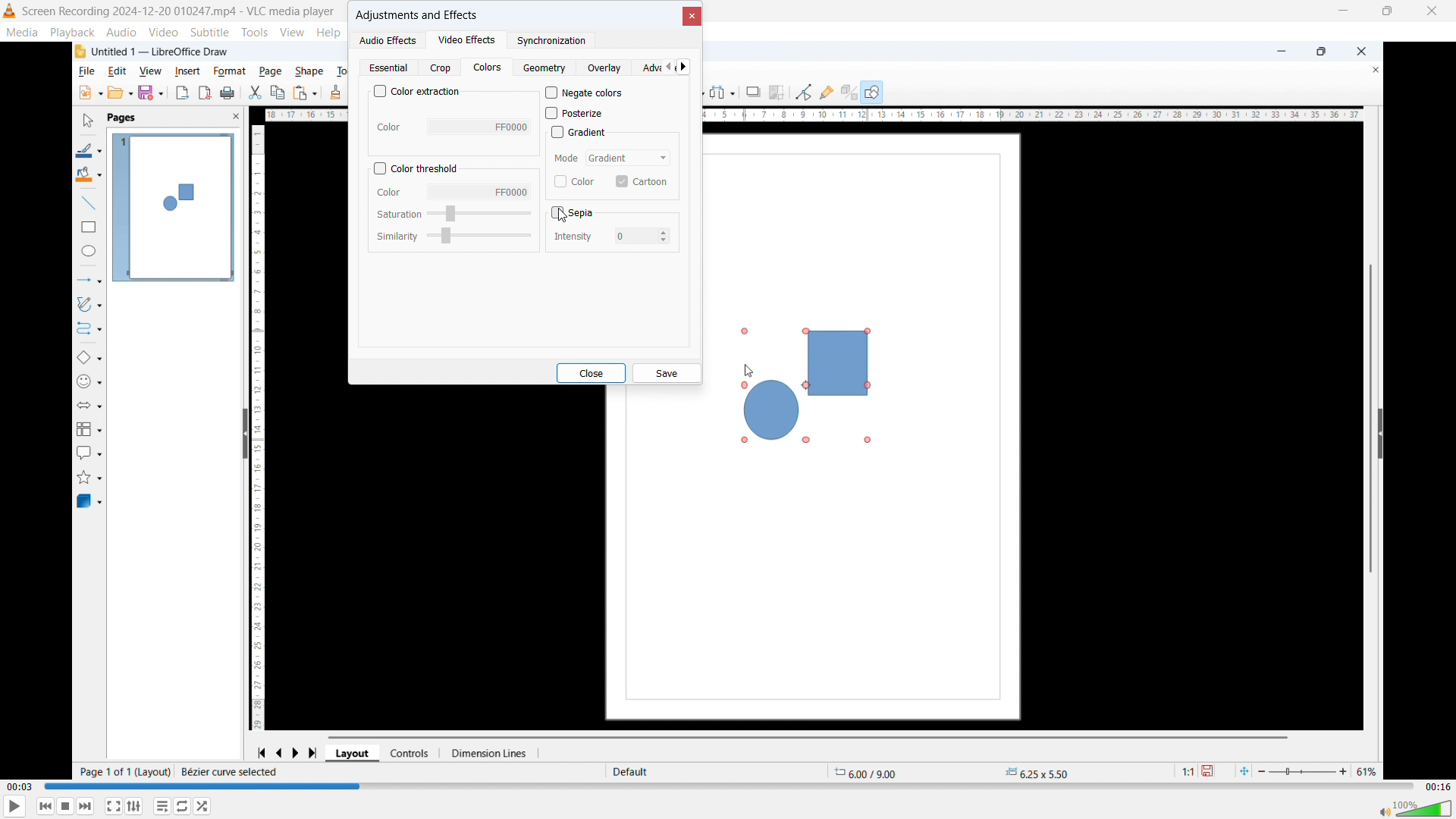 The height and width of the screenshot is (819, 1456). Describe the element at coordinates (479, 235) in the screenshot. I see `Select similarity ` at that location.